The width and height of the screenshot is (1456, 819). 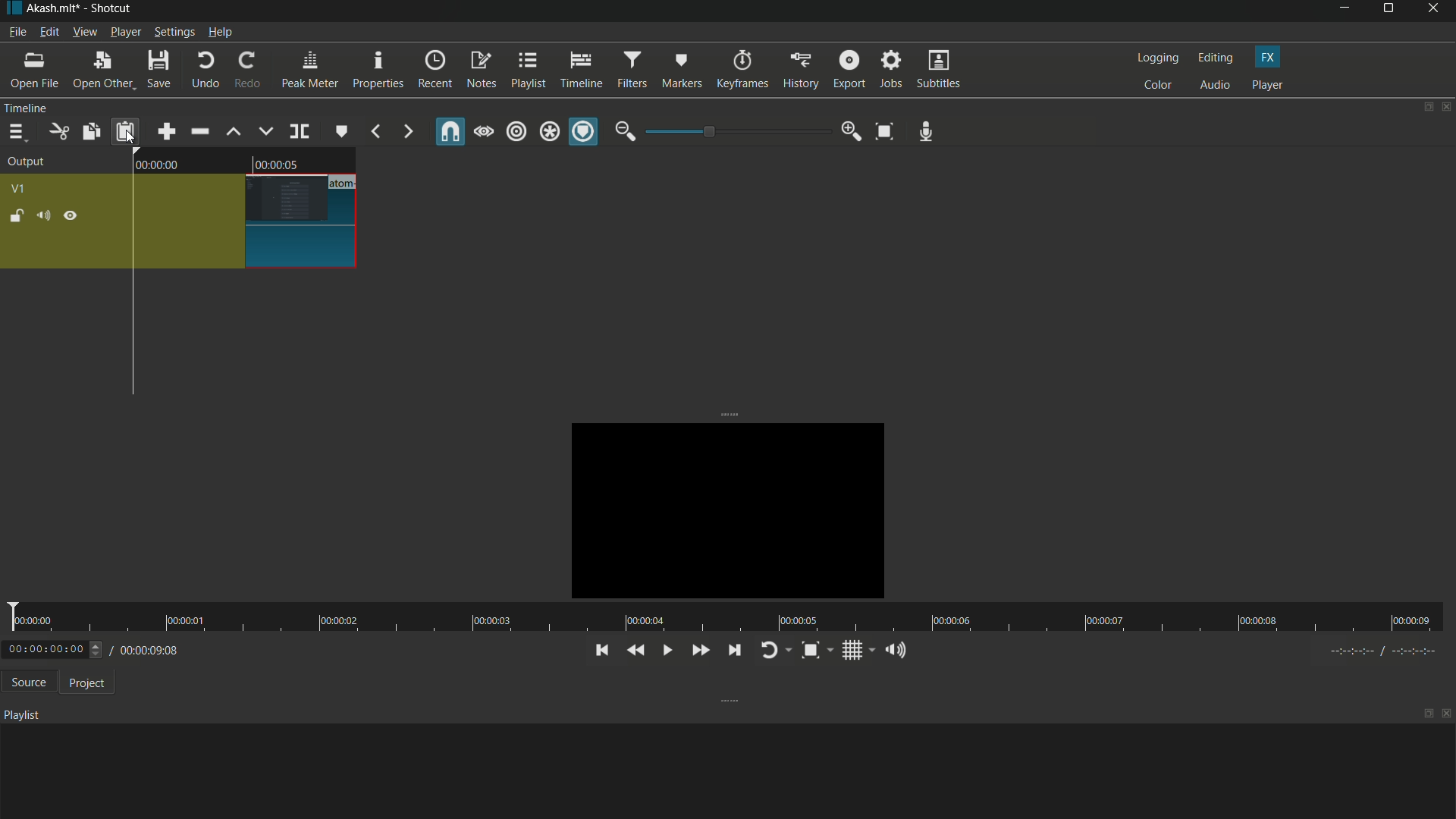 I want to click on video in timeline, so click(x=248, y=221).